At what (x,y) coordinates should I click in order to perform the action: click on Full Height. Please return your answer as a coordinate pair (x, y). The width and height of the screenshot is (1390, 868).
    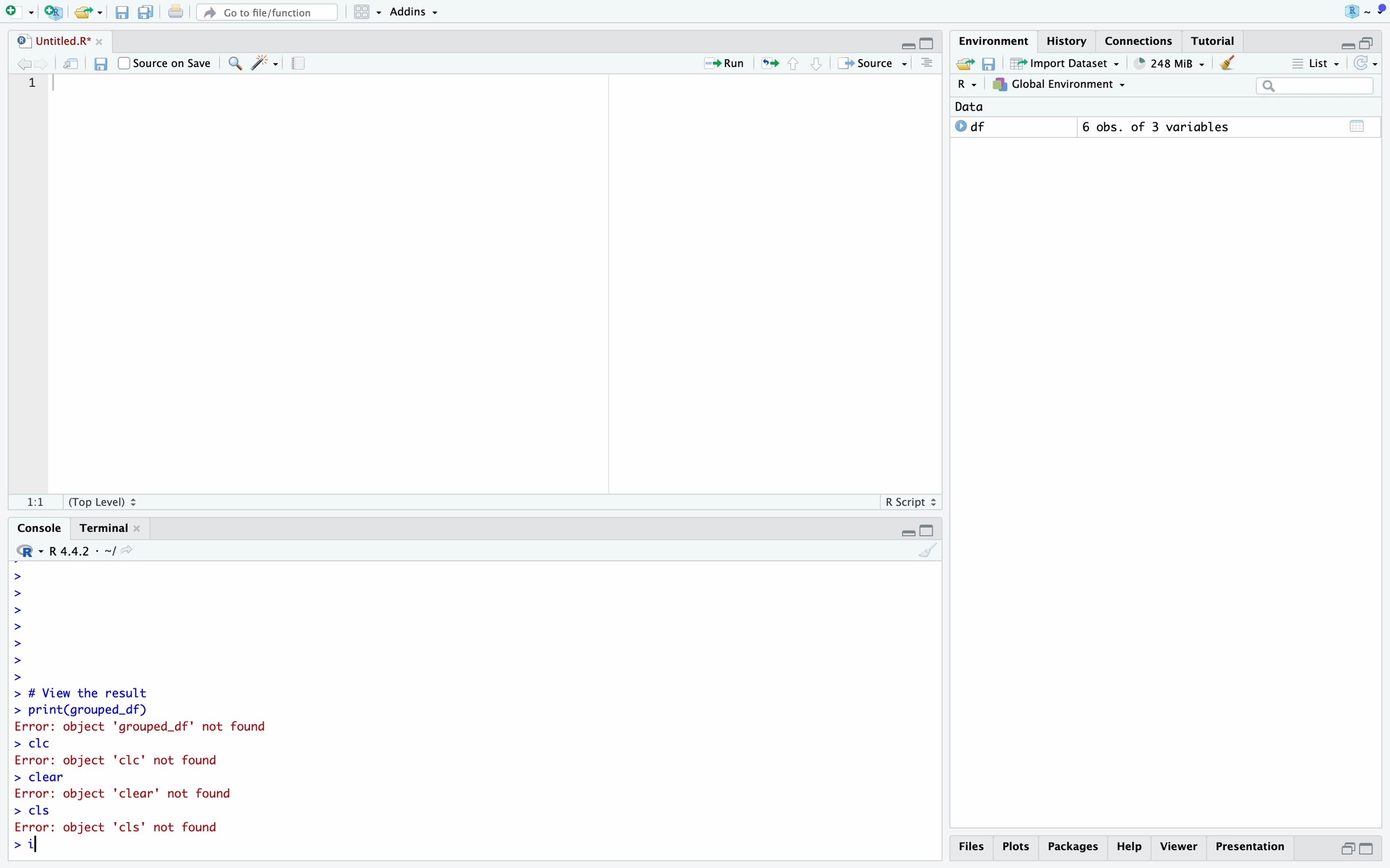
    Looking at the image, I should click on (929, 41).